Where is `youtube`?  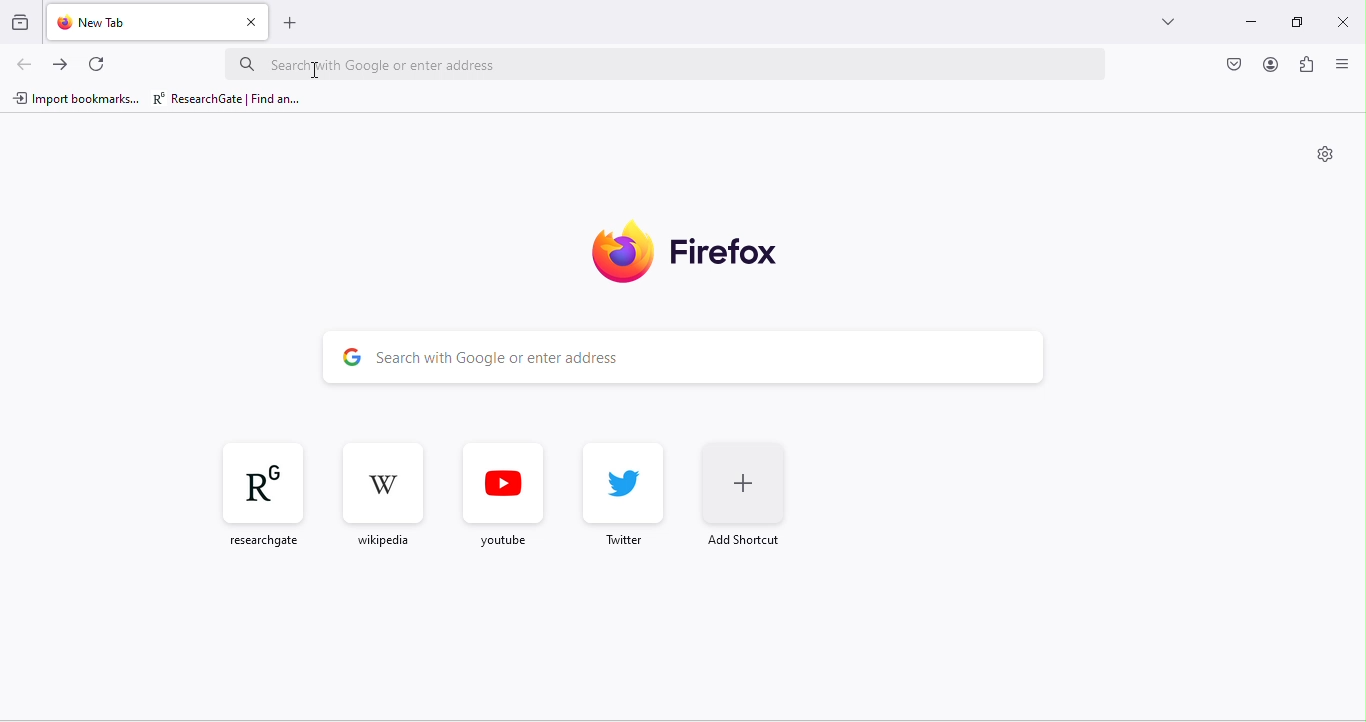 youtube is located at coordinates (505, 490).